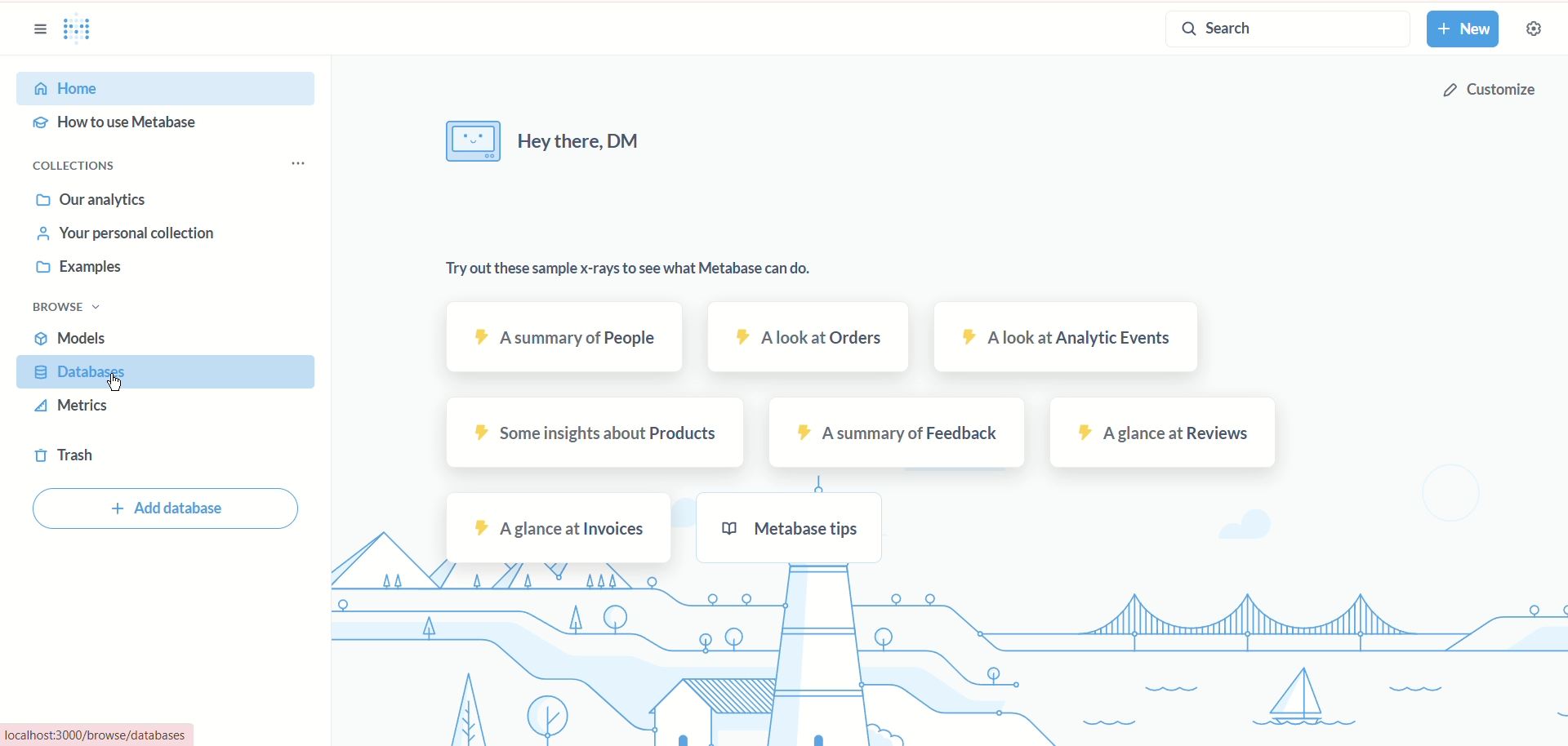  Describe the element at coordinates (81, 269) in the screenshot. I see `examples` at that location.